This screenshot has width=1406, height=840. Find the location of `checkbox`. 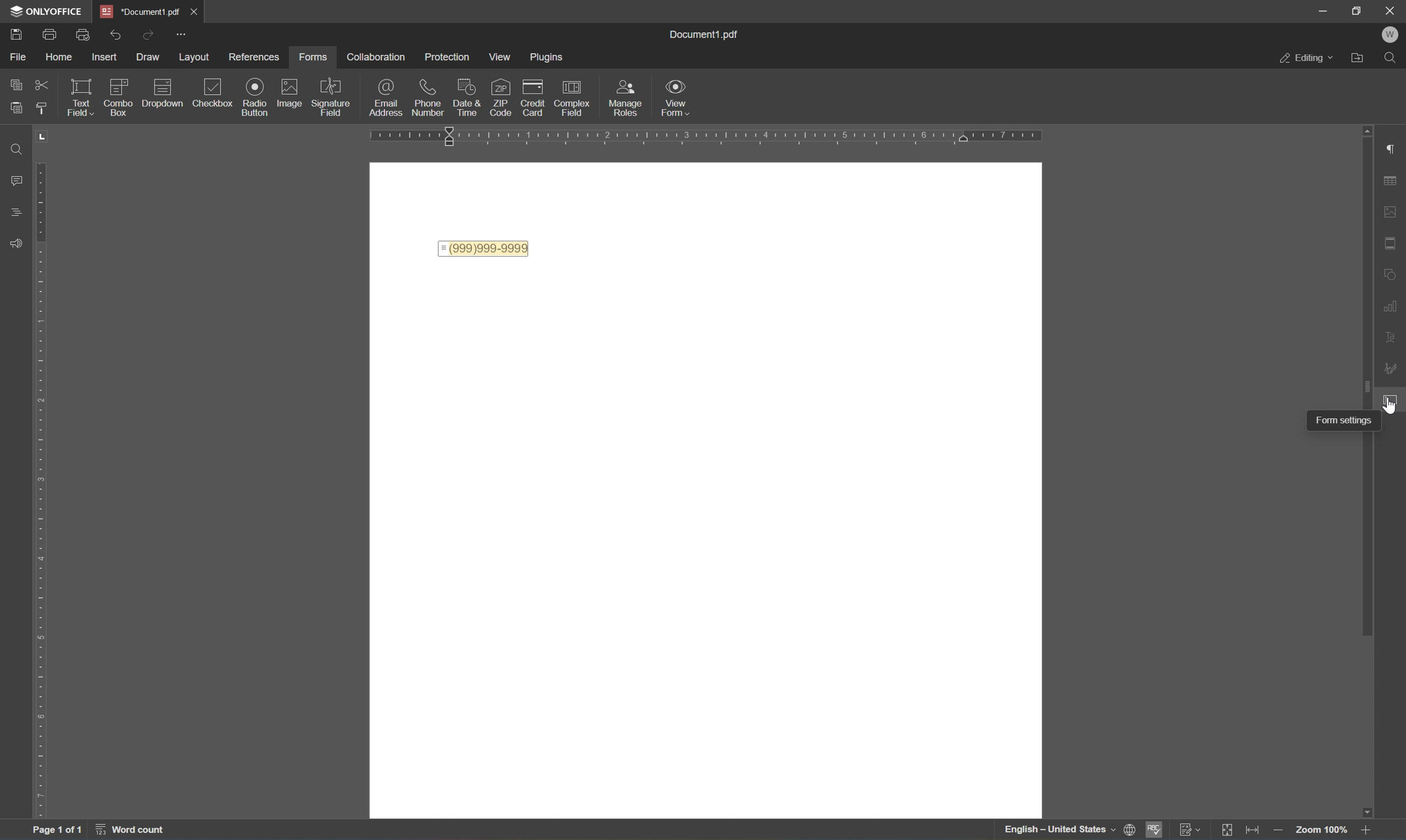

checkbox is located at coordinates (119, 95).